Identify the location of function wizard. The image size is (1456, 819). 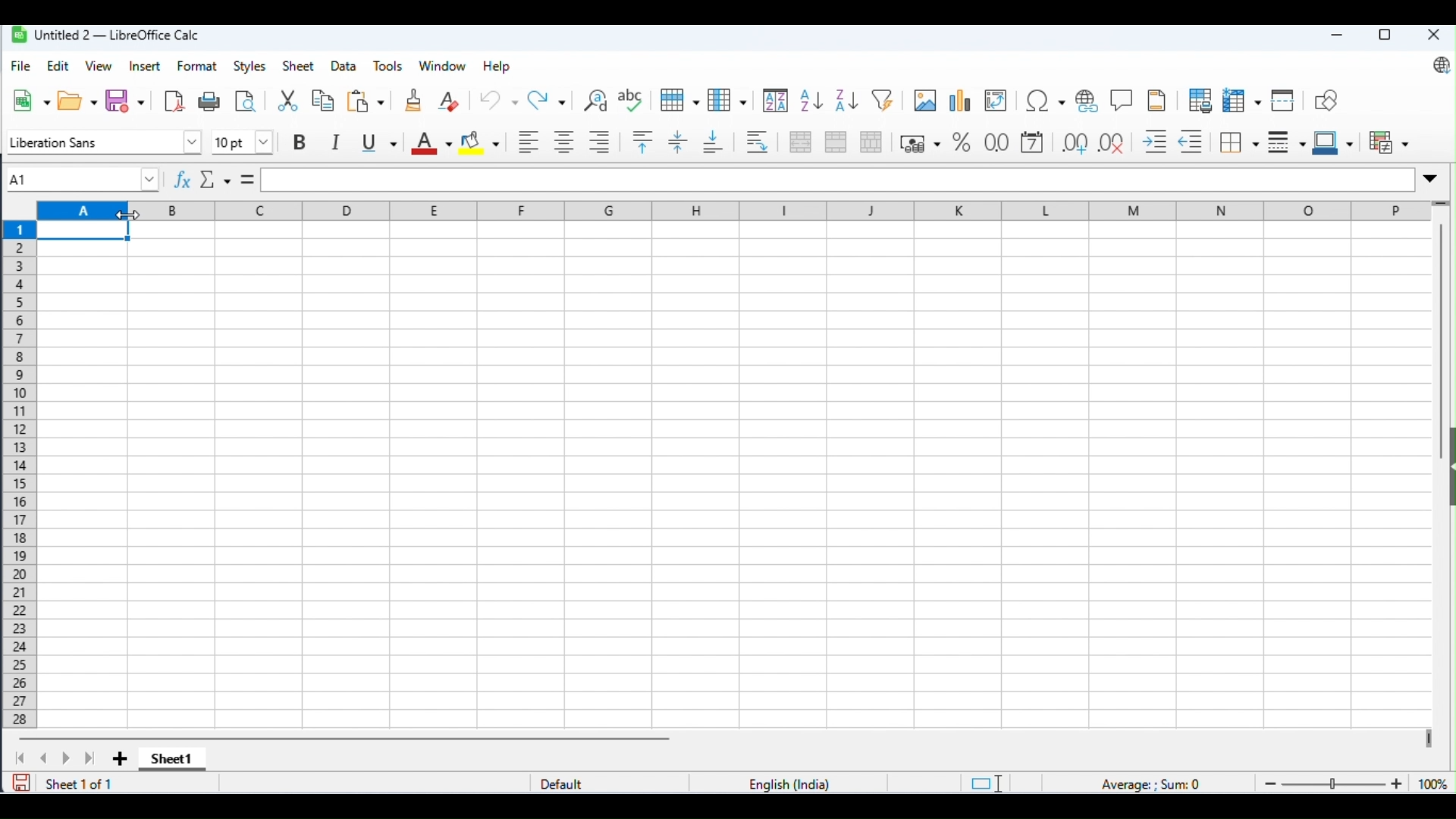
(180, 177).